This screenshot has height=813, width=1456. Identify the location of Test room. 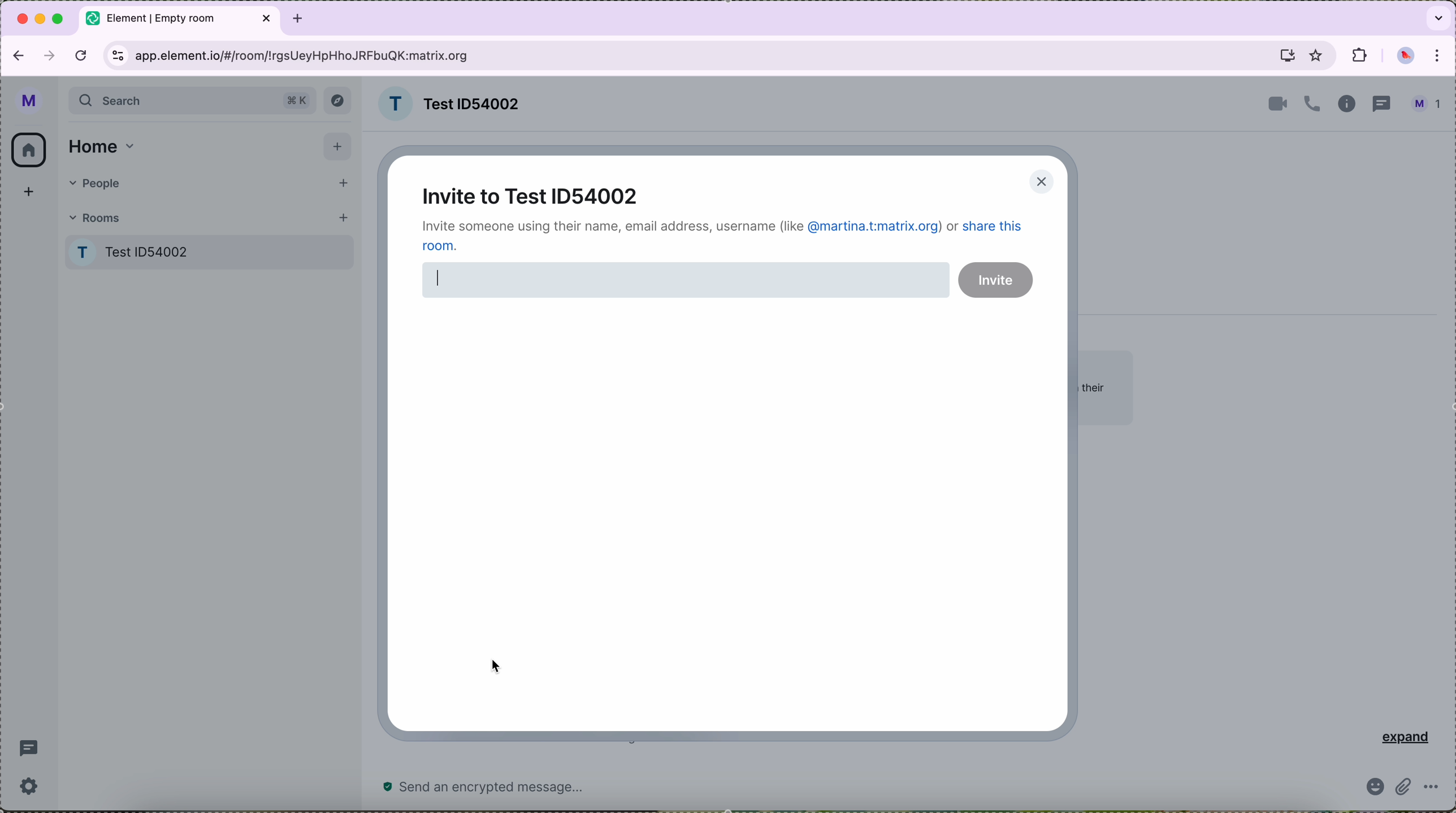
(212, 250).